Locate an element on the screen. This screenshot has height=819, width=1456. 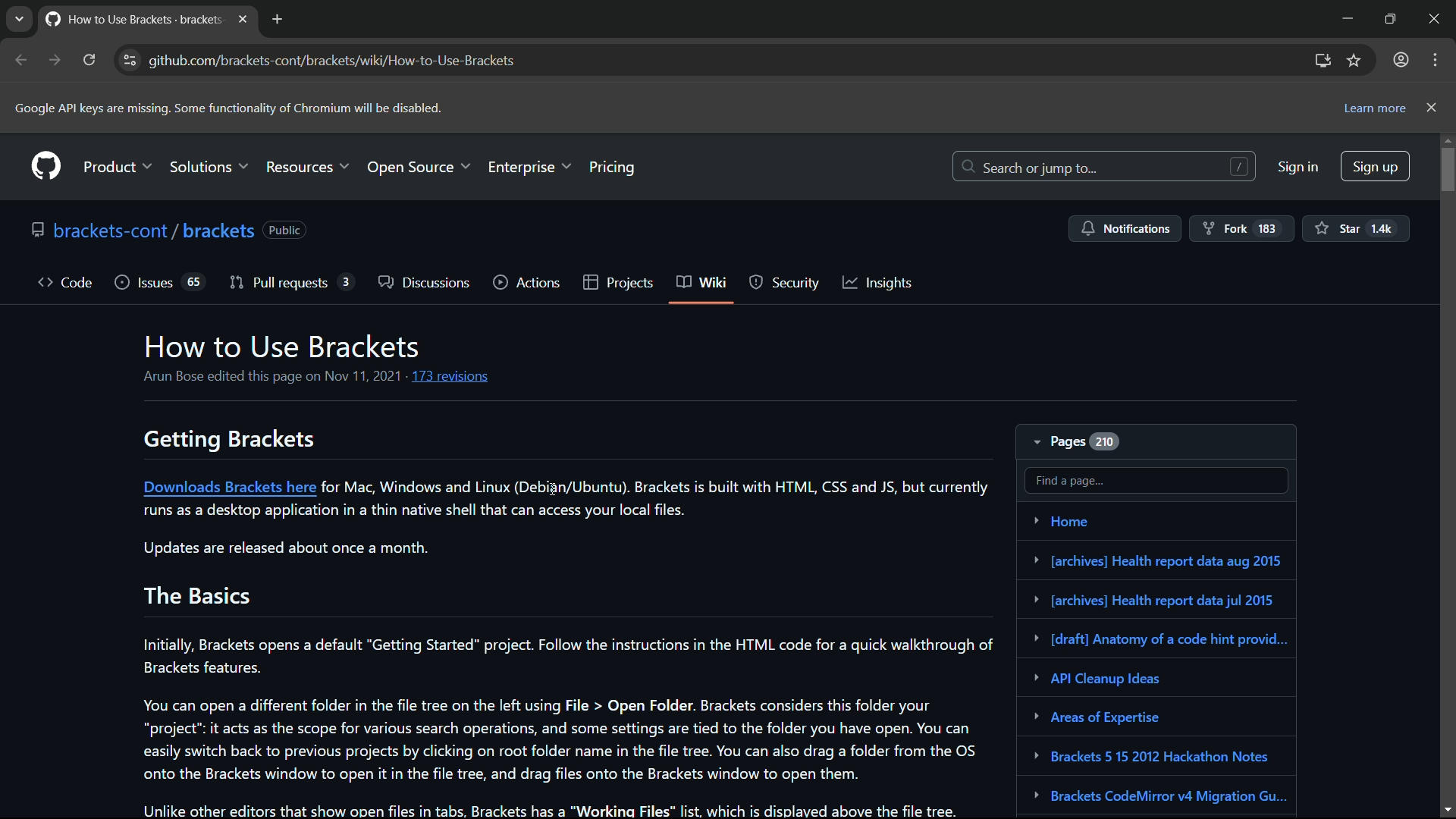
how to use brackets is located at coordinates (284, 347).